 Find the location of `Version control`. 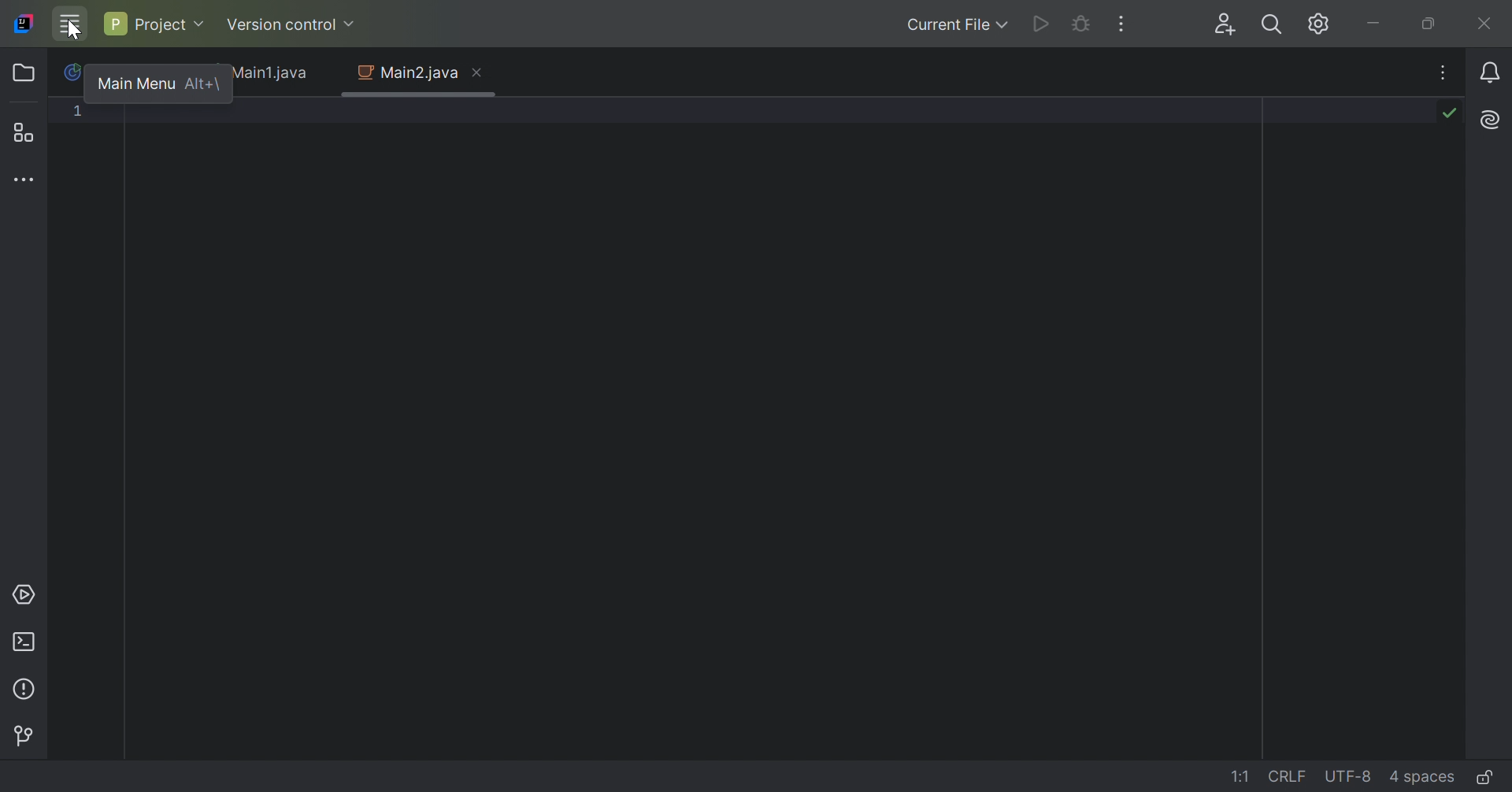

Version control is located at coordinates (291, 23).